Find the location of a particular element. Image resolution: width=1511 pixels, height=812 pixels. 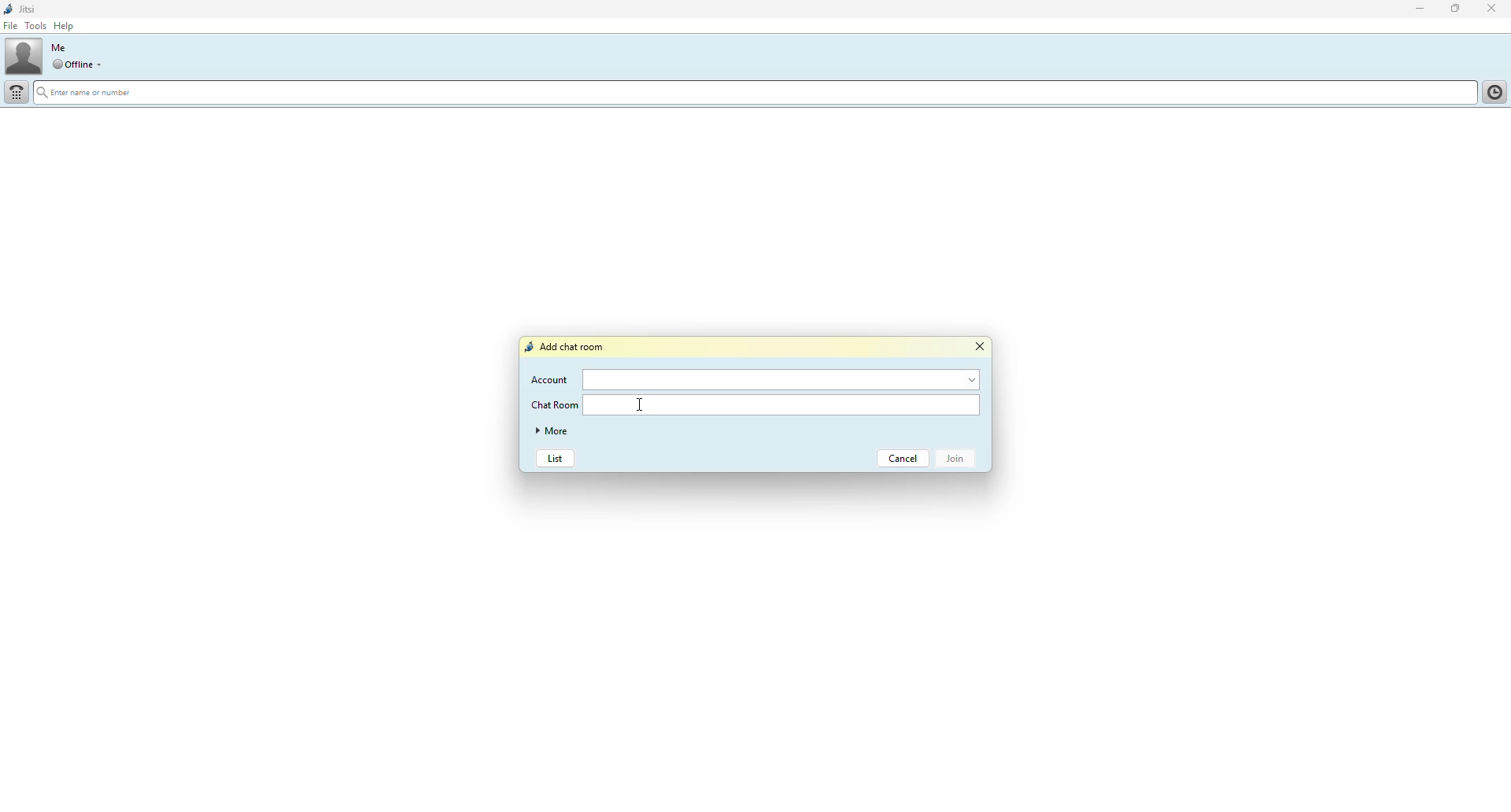

chat room is located at coordinates (555, 404).